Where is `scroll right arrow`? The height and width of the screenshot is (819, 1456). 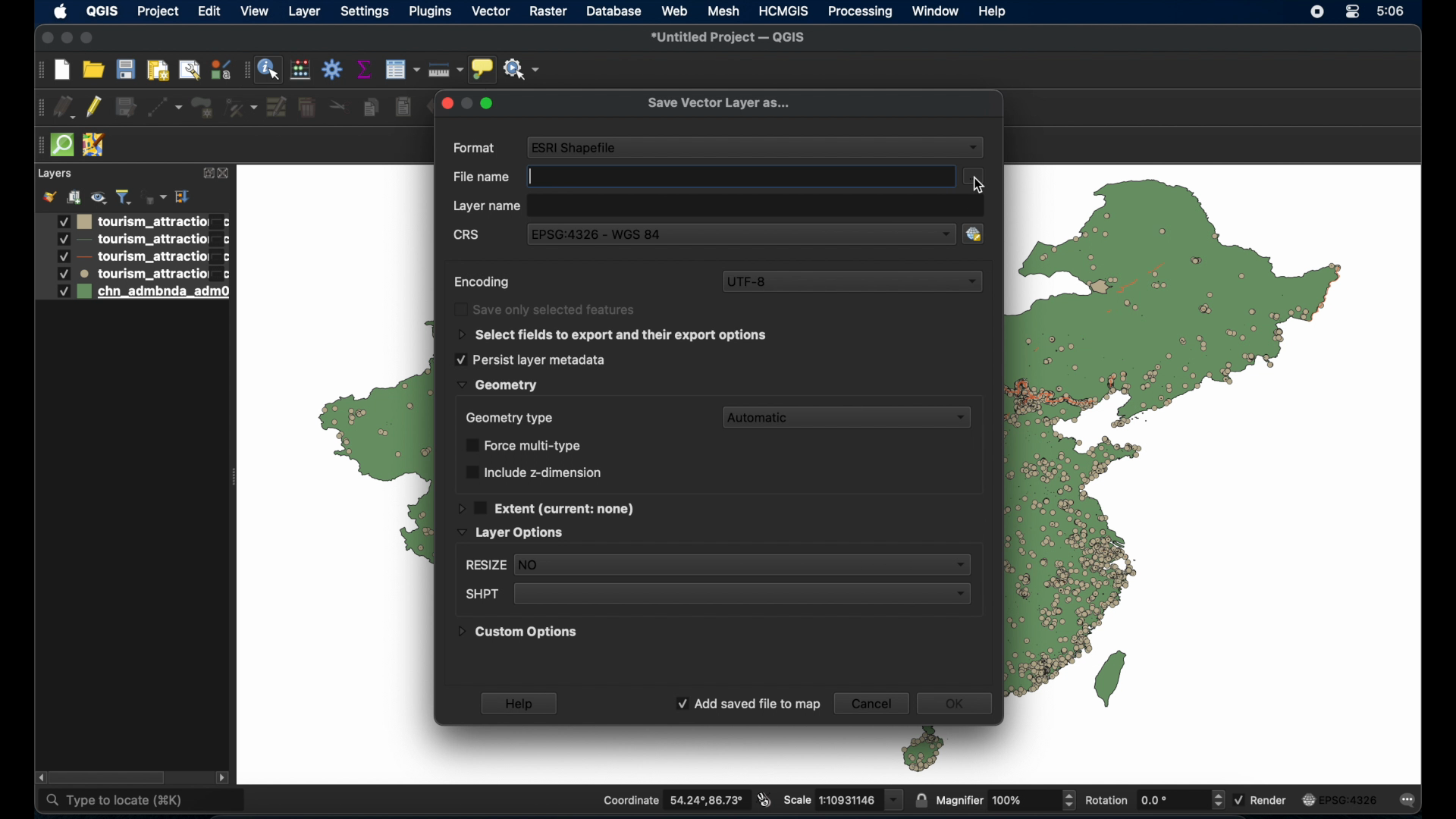
scroll right arrow is located at coordinates (222, 777).